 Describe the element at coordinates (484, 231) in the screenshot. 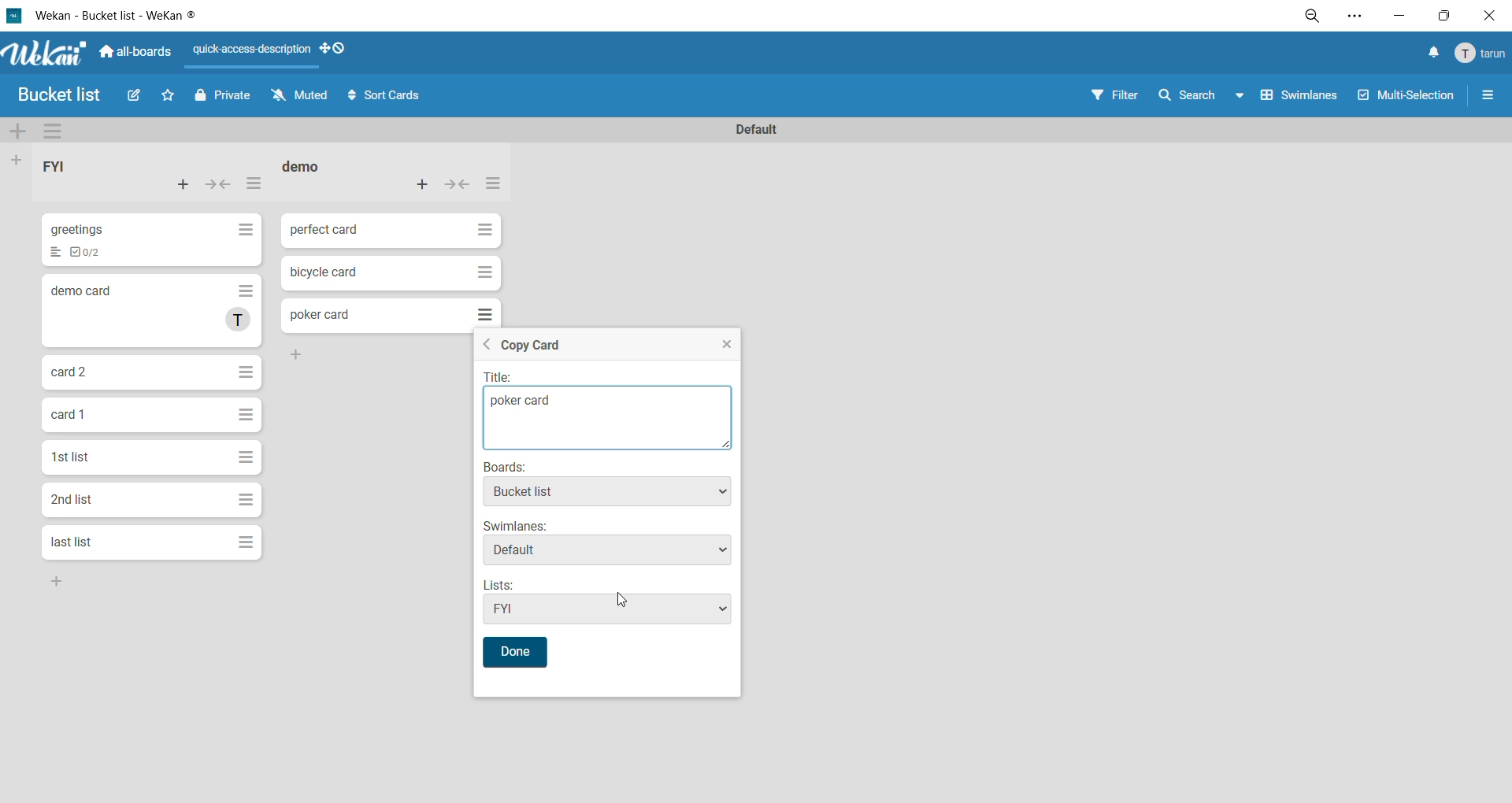

I see `Hamburger` at that location.